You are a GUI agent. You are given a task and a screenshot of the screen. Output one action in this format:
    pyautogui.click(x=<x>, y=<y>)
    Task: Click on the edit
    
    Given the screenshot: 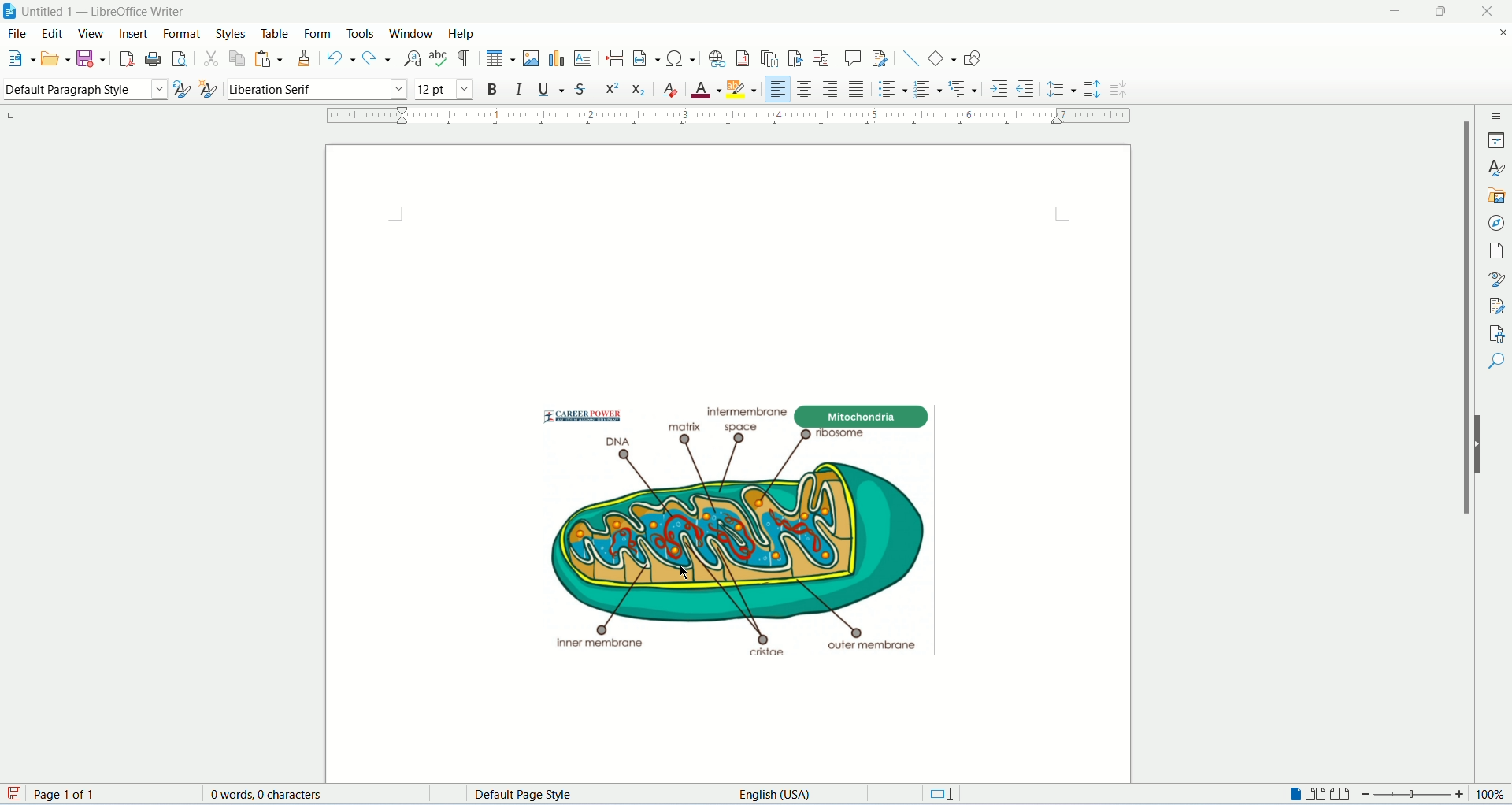 What is the action you would take?
    pyautogui.click(x=54, y=32)
    